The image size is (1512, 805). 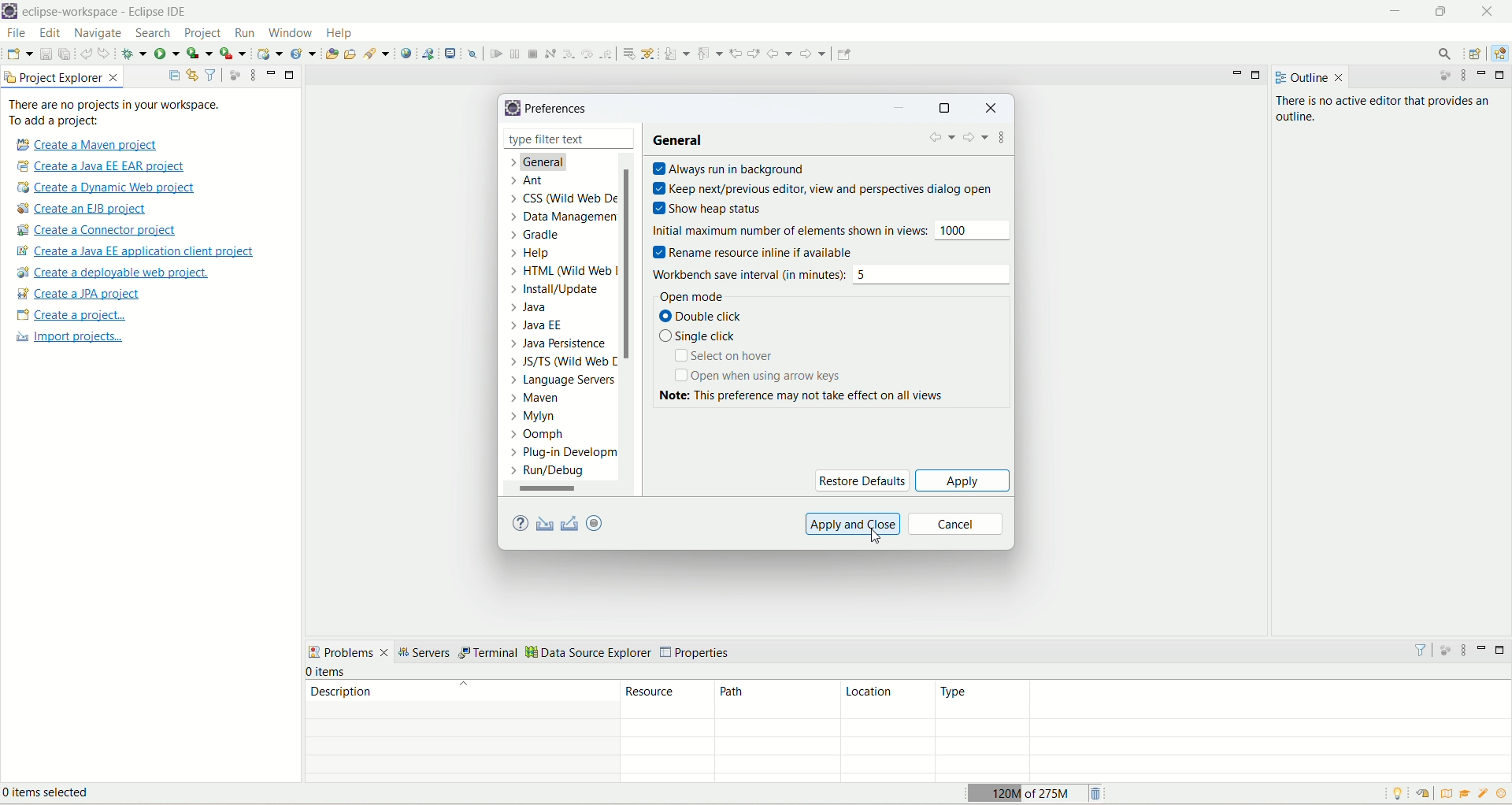 What do you see at coordinates (682, 140) in the screenshot?
I see `general` at bounding box center [682, 140].